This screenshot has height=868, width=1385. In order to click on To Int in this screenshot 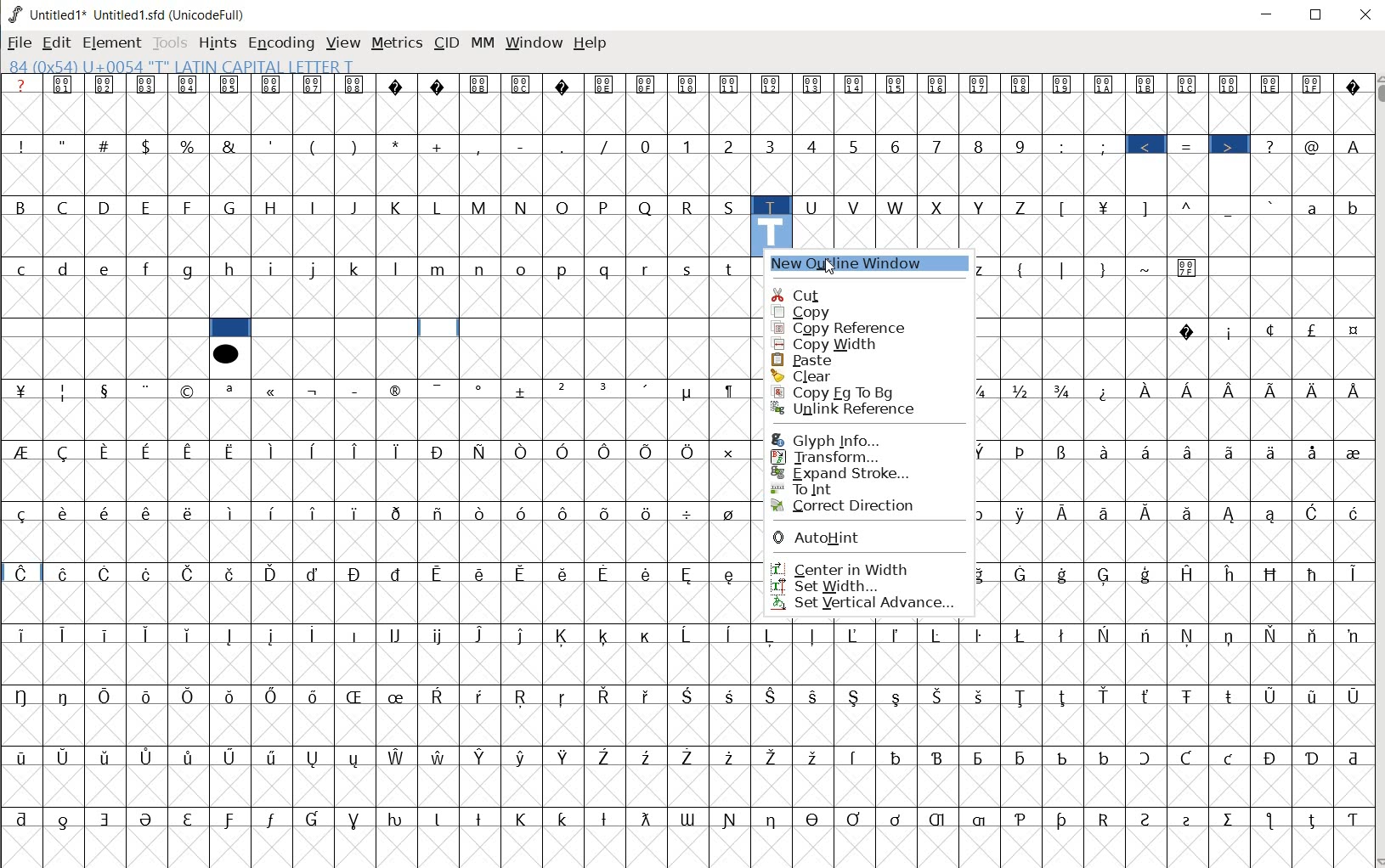, I will do `click(834, 488)`.